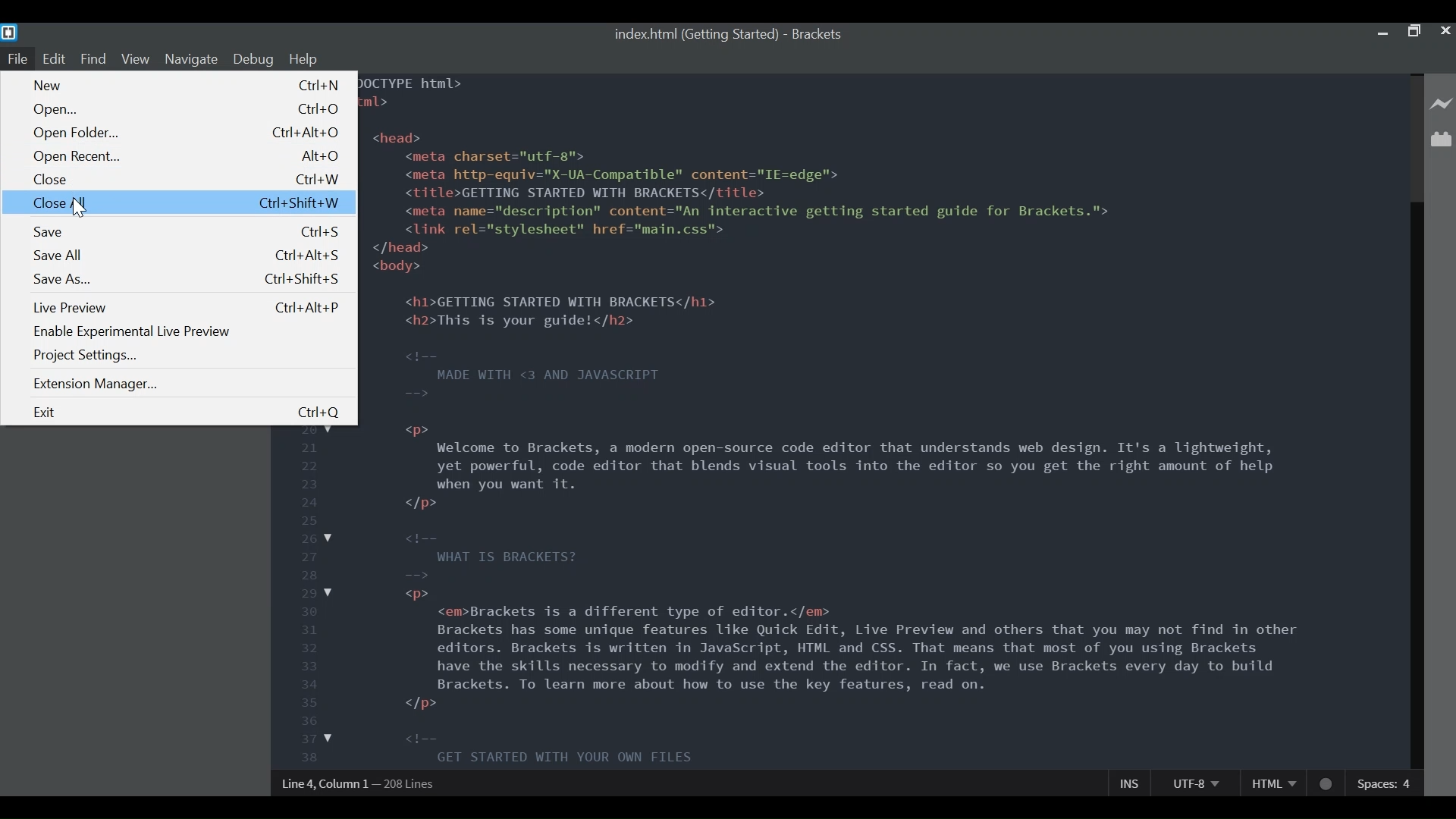 Image resolution: width=1456 pixels, height=819 pixels. What do you see at coordinates (1273, 783) in the screenshot?
I see `HTML` at bounding box center [1273, 783].